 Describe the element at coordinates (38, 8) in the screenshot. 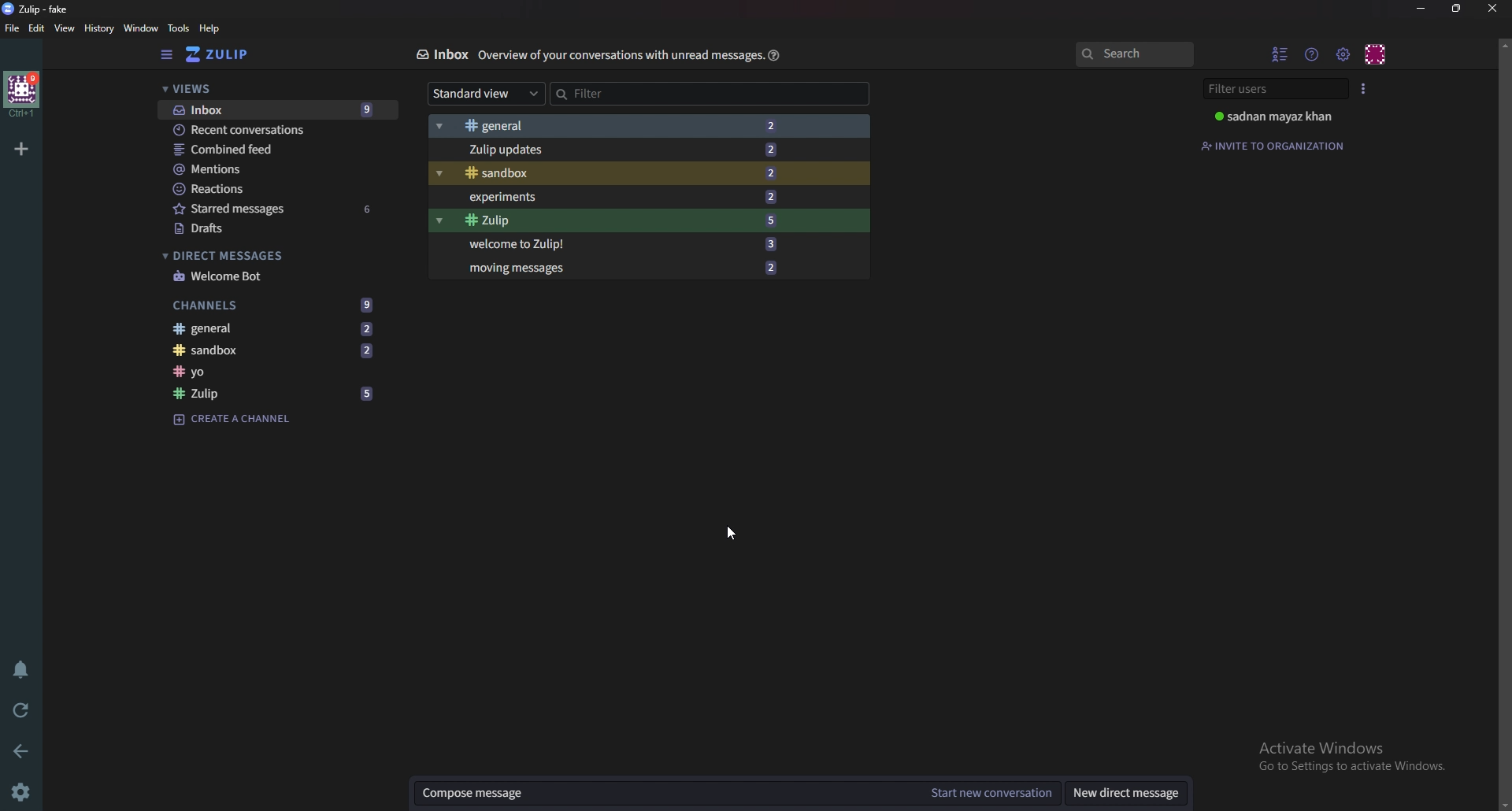

I see `zulip` at that location.